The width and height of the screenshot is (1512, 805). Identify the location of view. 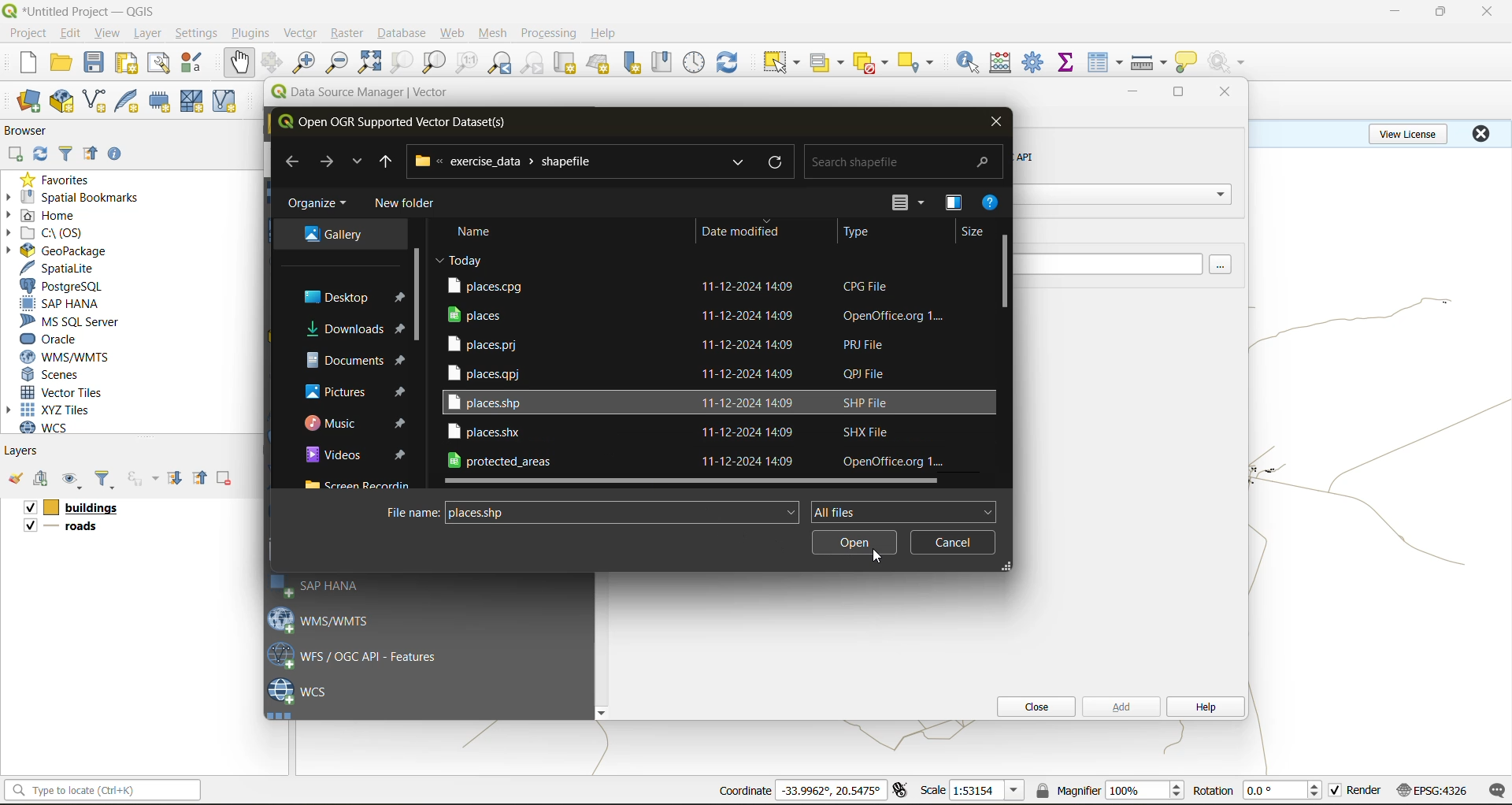
(108, 35).